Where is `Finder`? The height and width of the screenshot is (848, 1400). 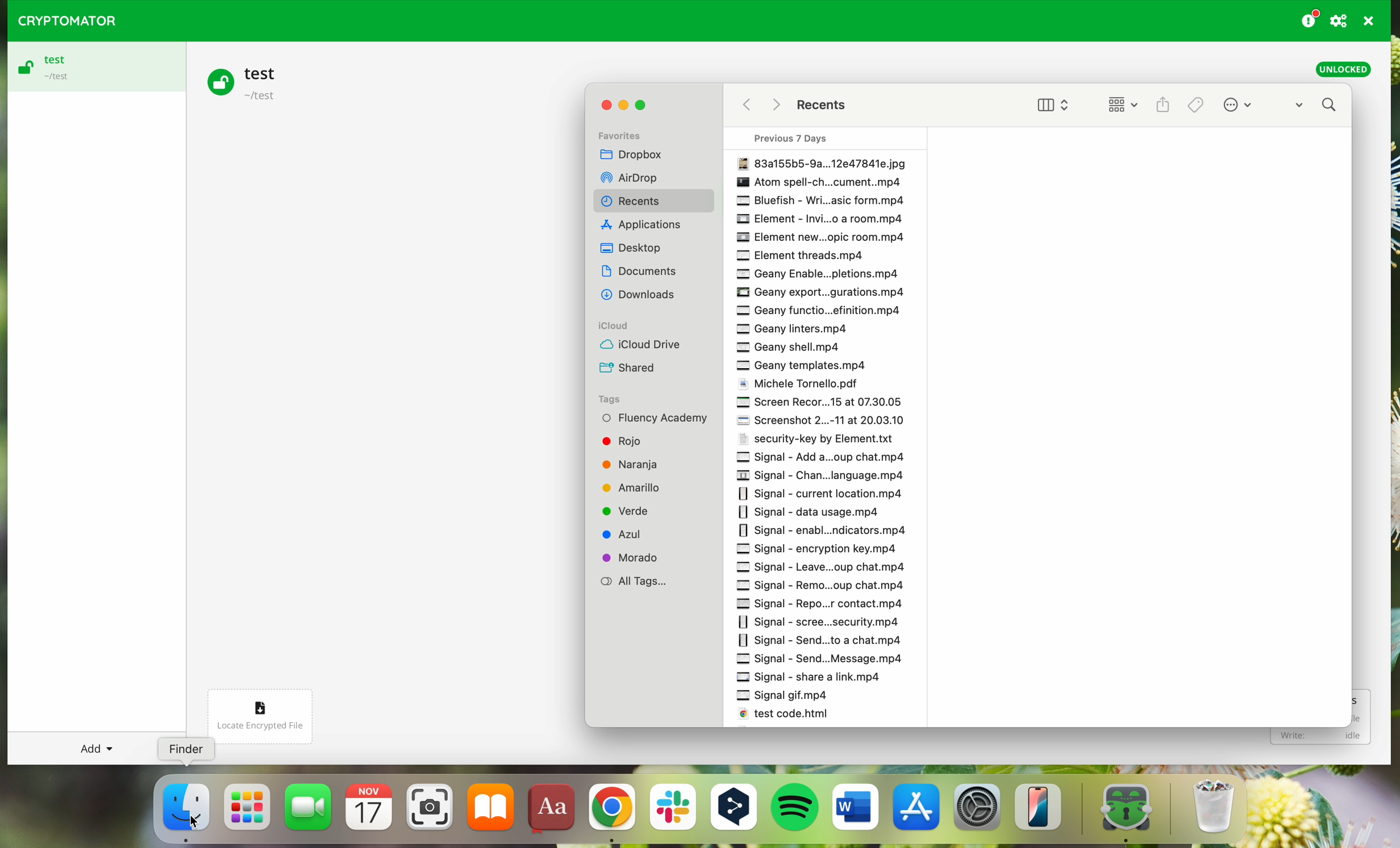 Finder is located at coordinates (181, 749).